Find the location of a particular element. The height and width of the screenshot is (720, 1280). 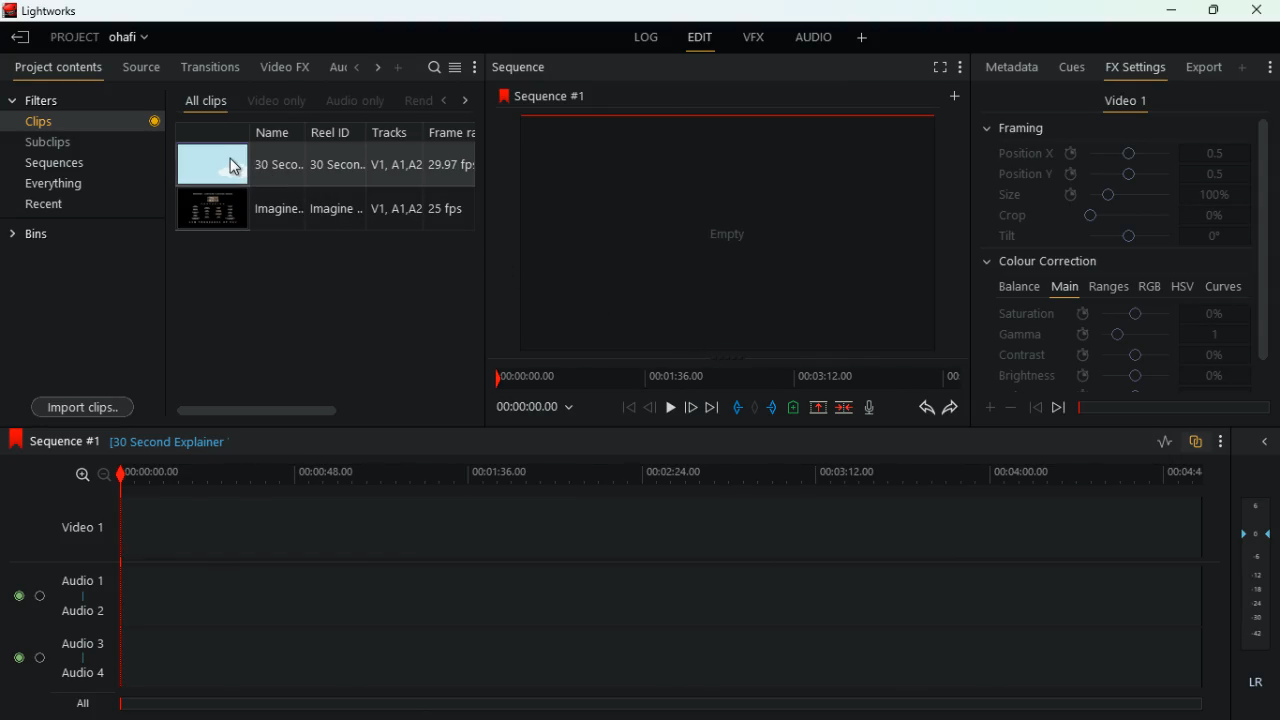

frame is located at coordinates (450, 177).